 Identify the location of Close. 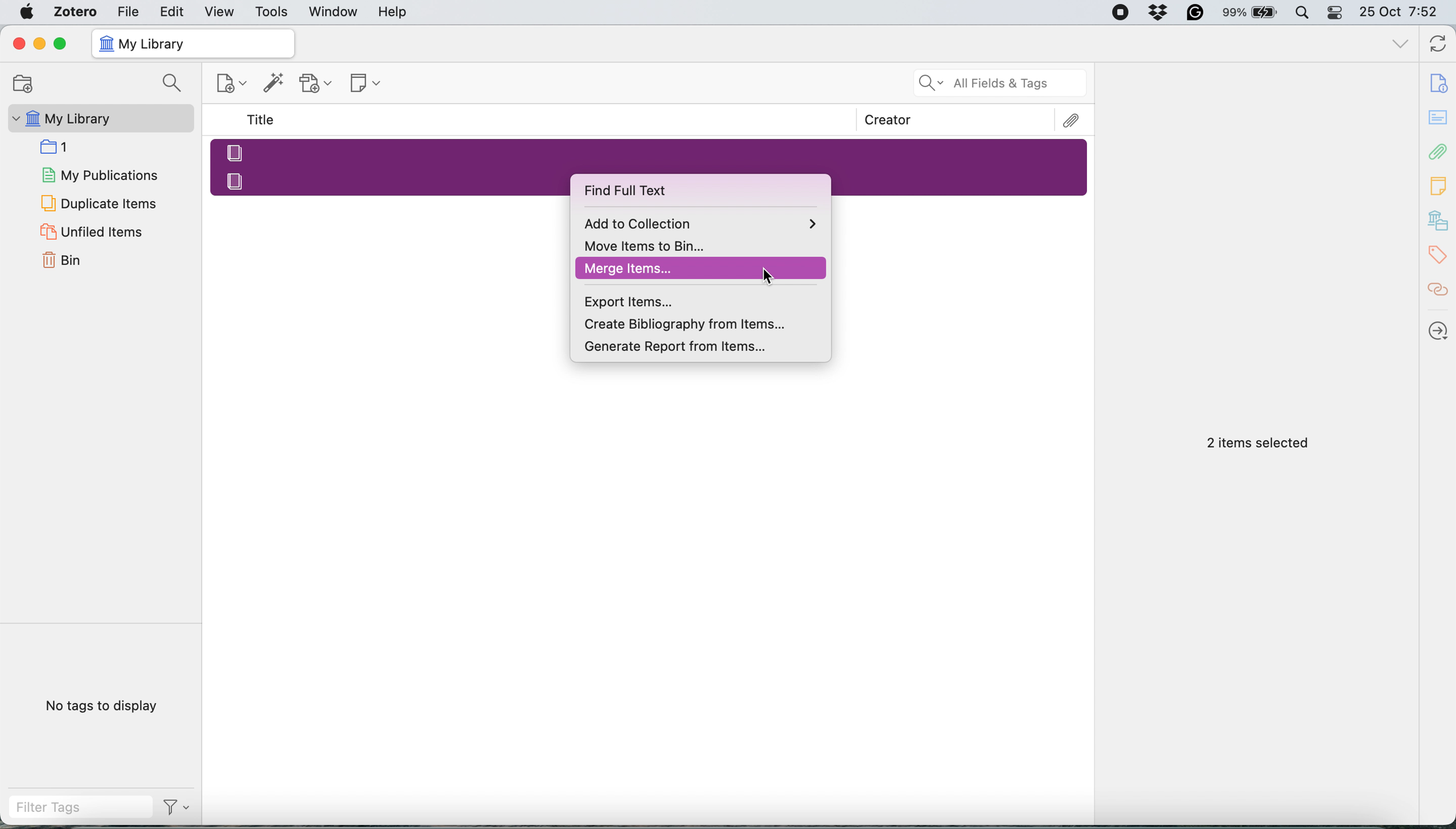
(18, 43).